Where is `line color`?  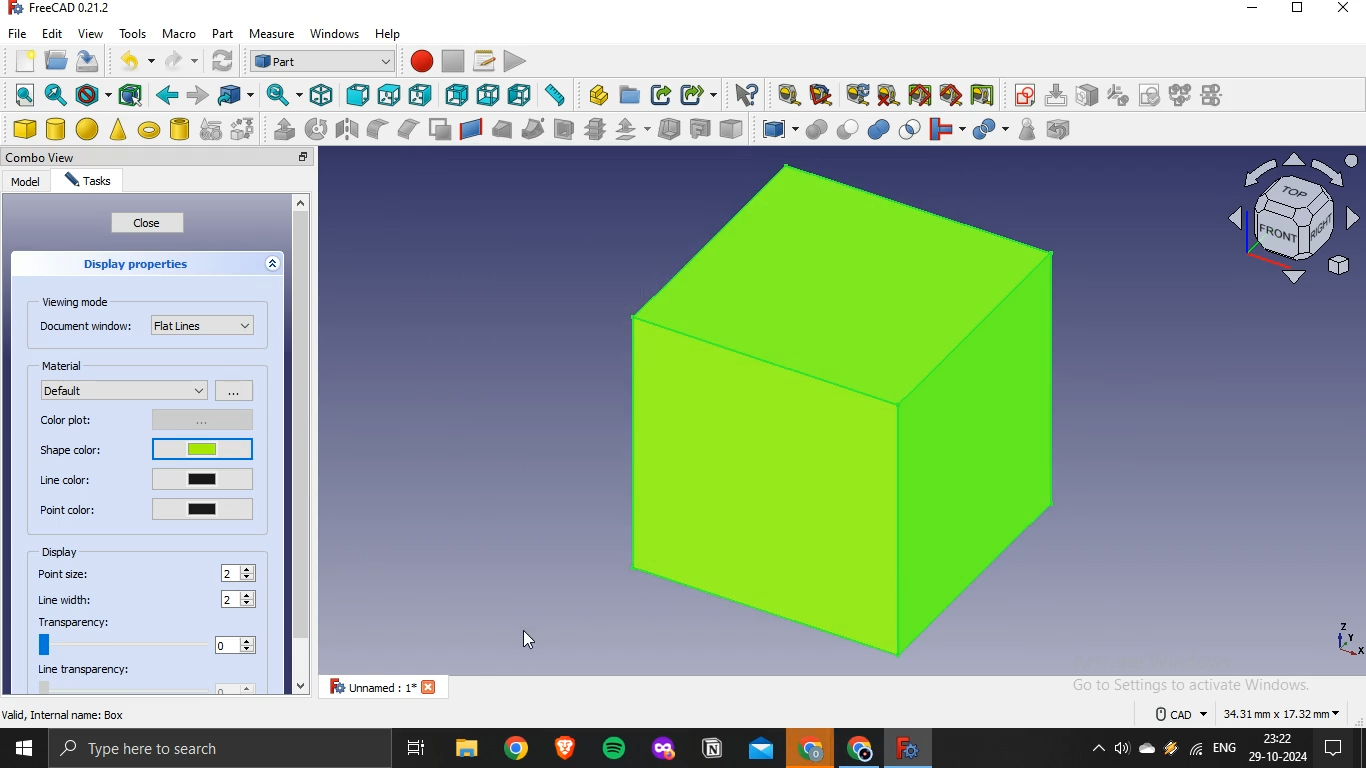 line color is located at coordinates (147, 479).